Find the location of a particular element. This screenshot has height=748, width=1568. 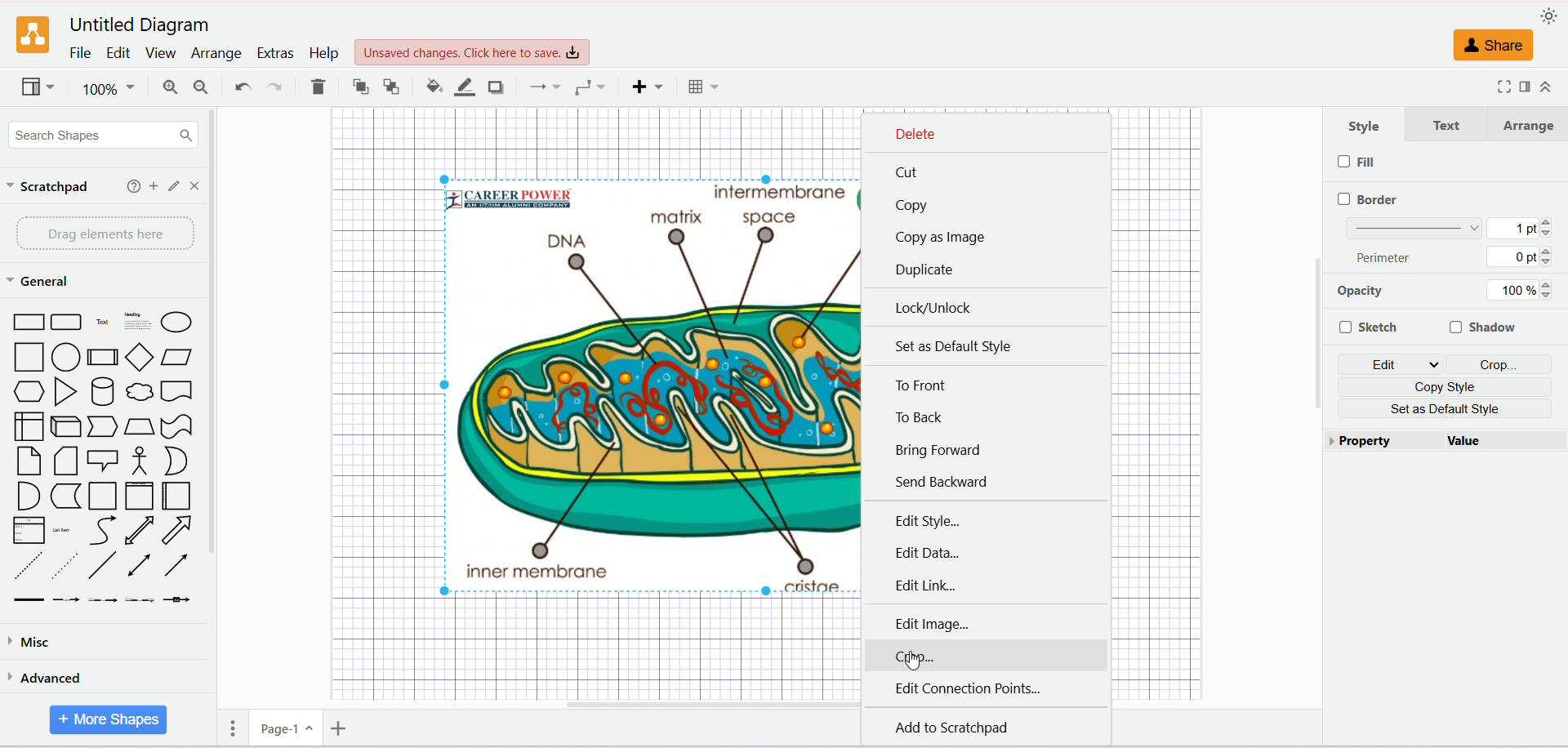

fill is located at coordinates (1359, 162).